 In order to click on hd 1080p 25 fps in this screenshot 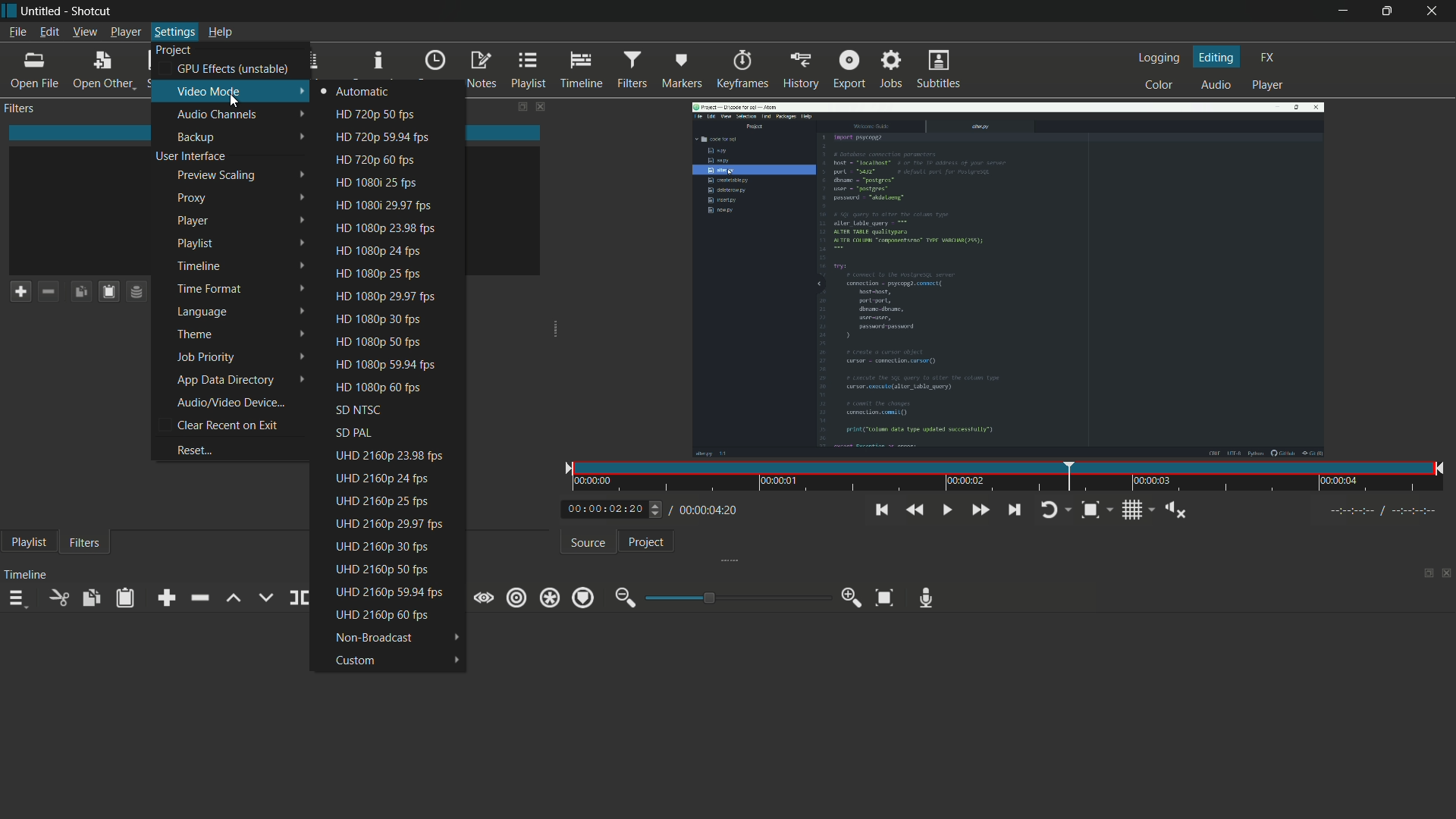, I will do `click(397, 182)`.